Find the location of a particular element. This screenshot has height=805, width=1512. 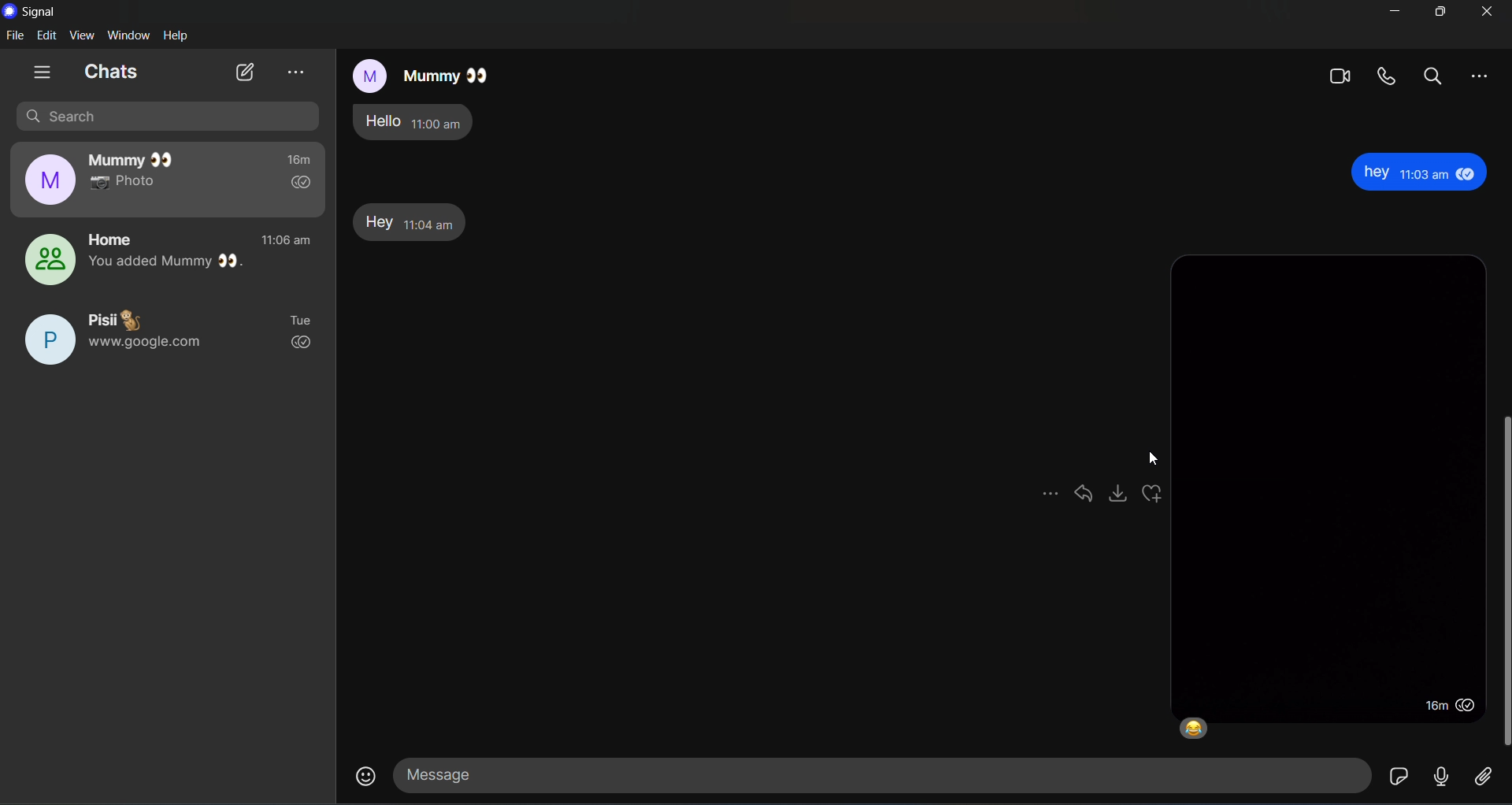

emojis is located at coordinates (365, 773).